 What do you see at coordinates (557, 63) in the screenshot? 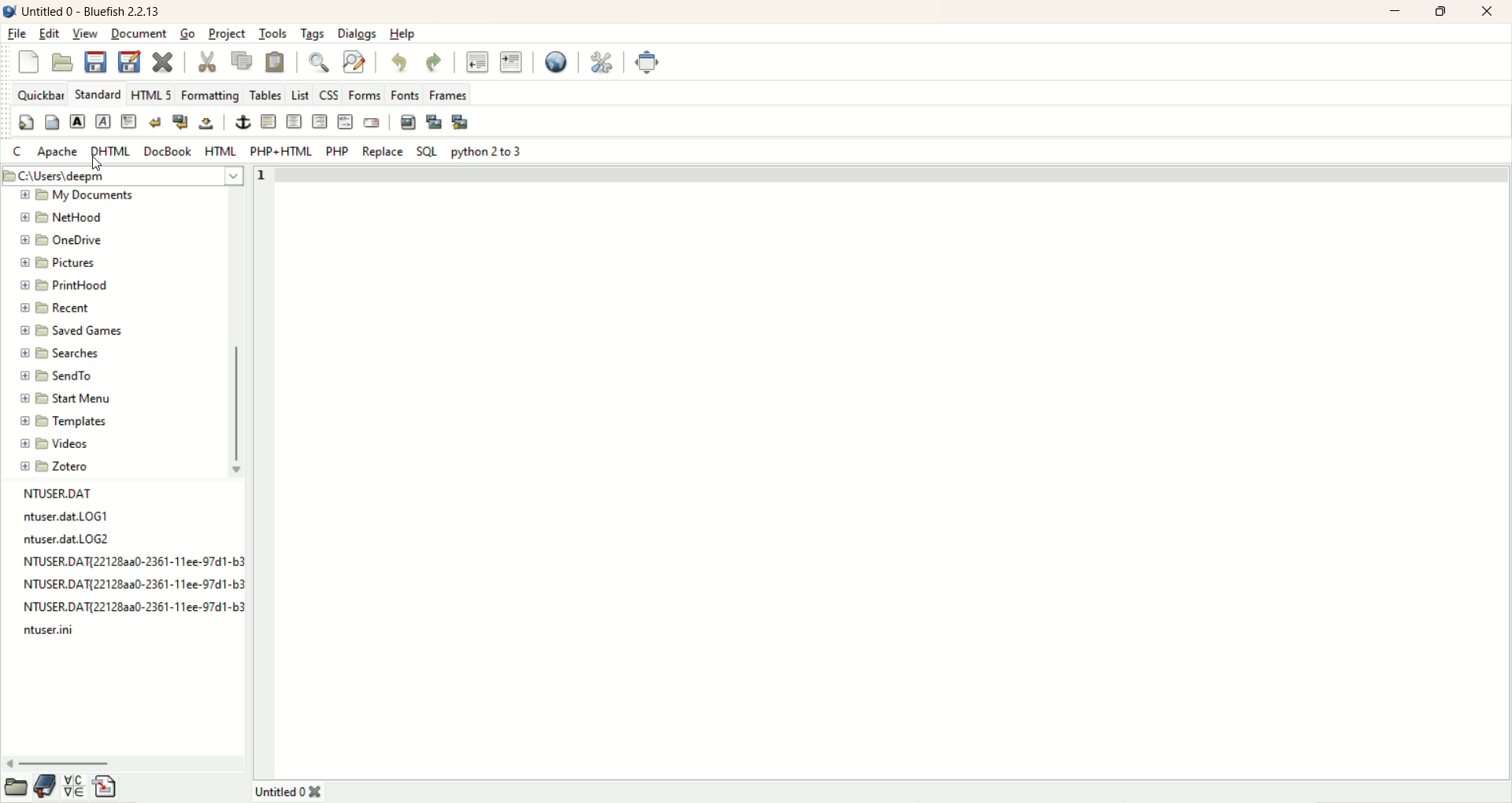
I see `preview in browser` at bounding box center [557, 63].